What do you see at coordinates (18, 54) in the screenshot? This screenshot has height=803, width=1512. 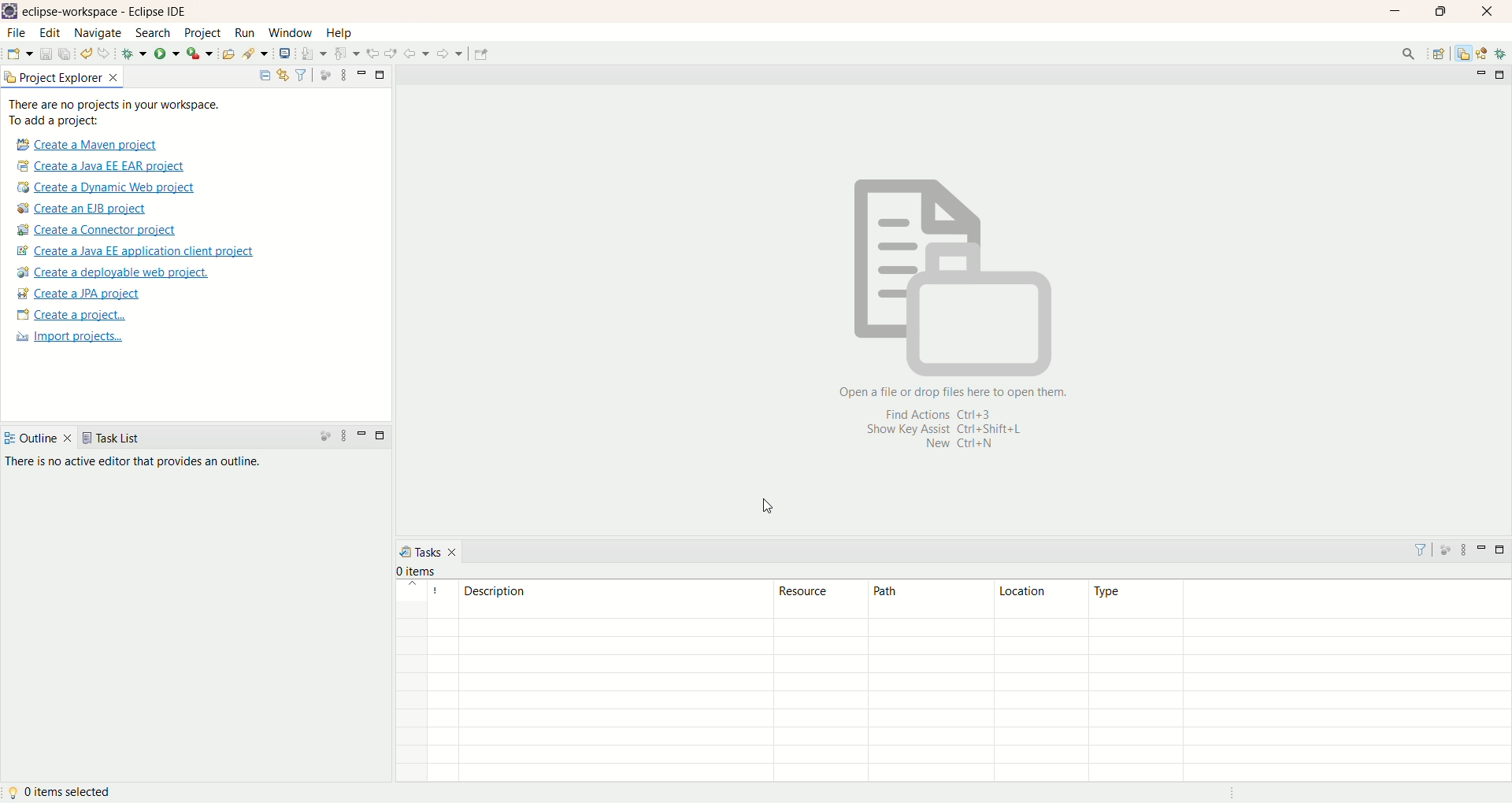 I see `new` at bounding box center [18, 54].